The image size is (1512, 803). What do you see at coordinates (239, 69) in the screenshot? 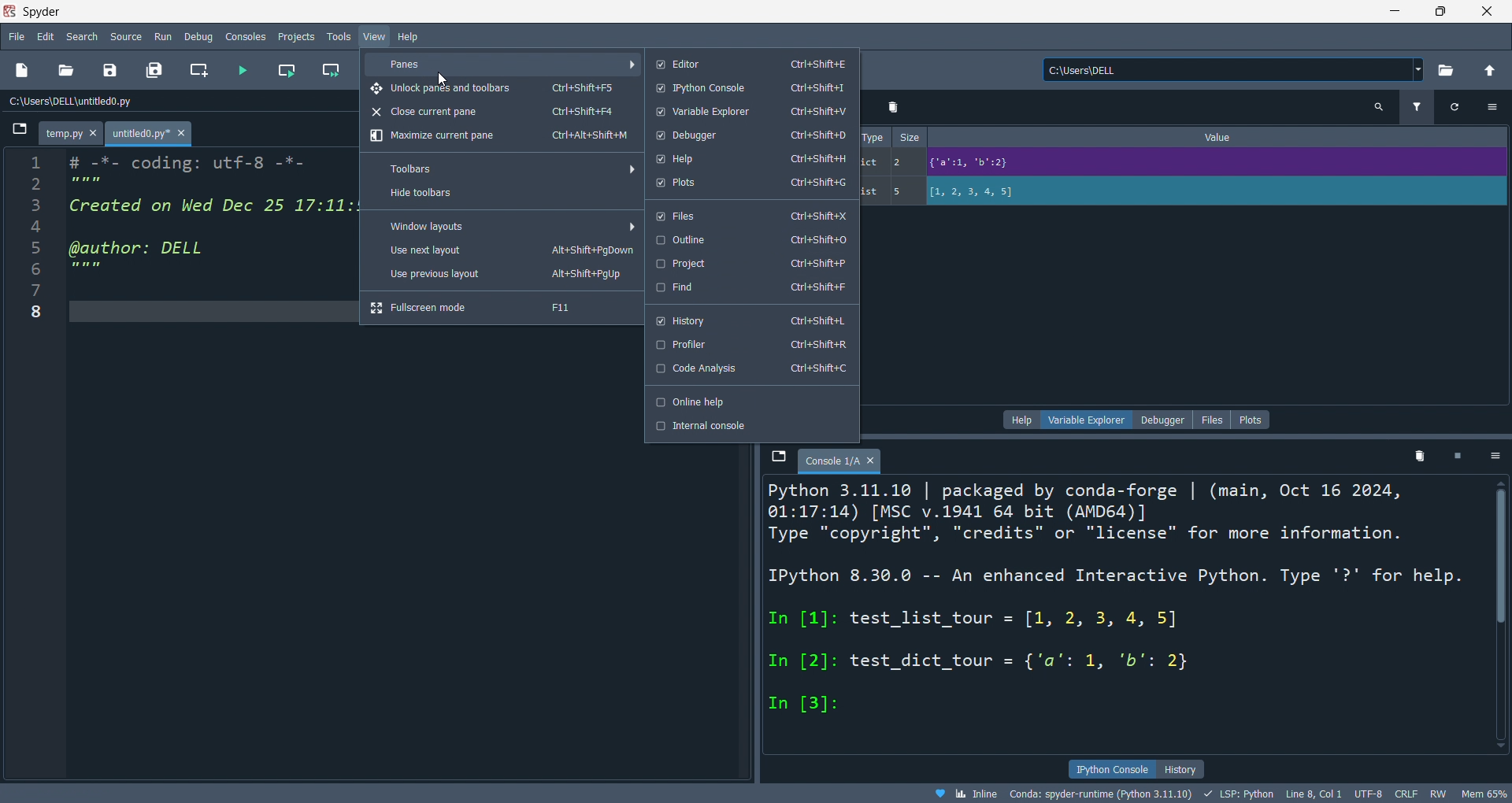
I see `run file` at bounding box center [239, 69].